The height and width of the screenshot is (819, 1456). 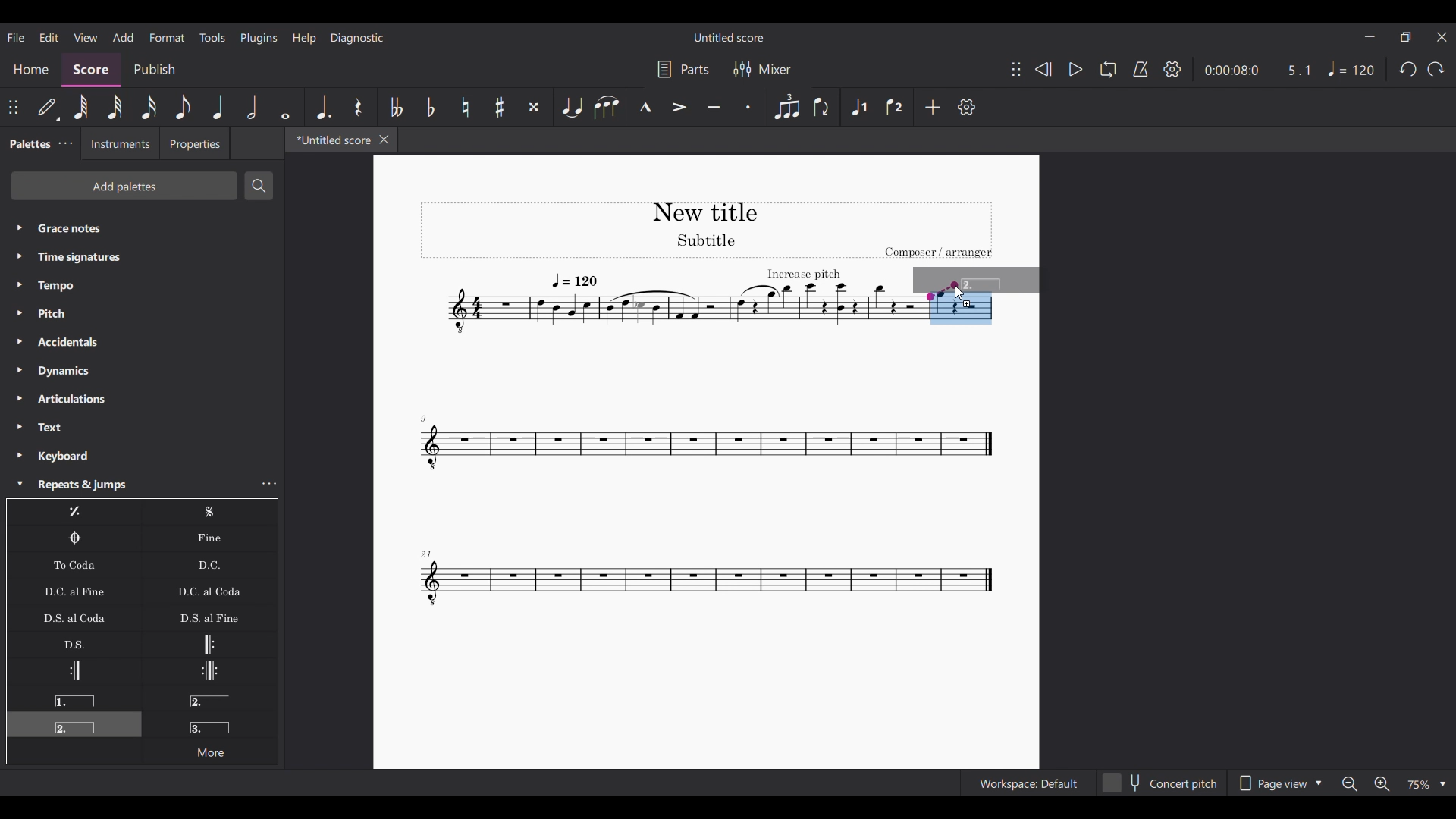 What do you see at coordinates (680, 108) in the screenshot?
I see `Accent` at bounding box center [680, 108].